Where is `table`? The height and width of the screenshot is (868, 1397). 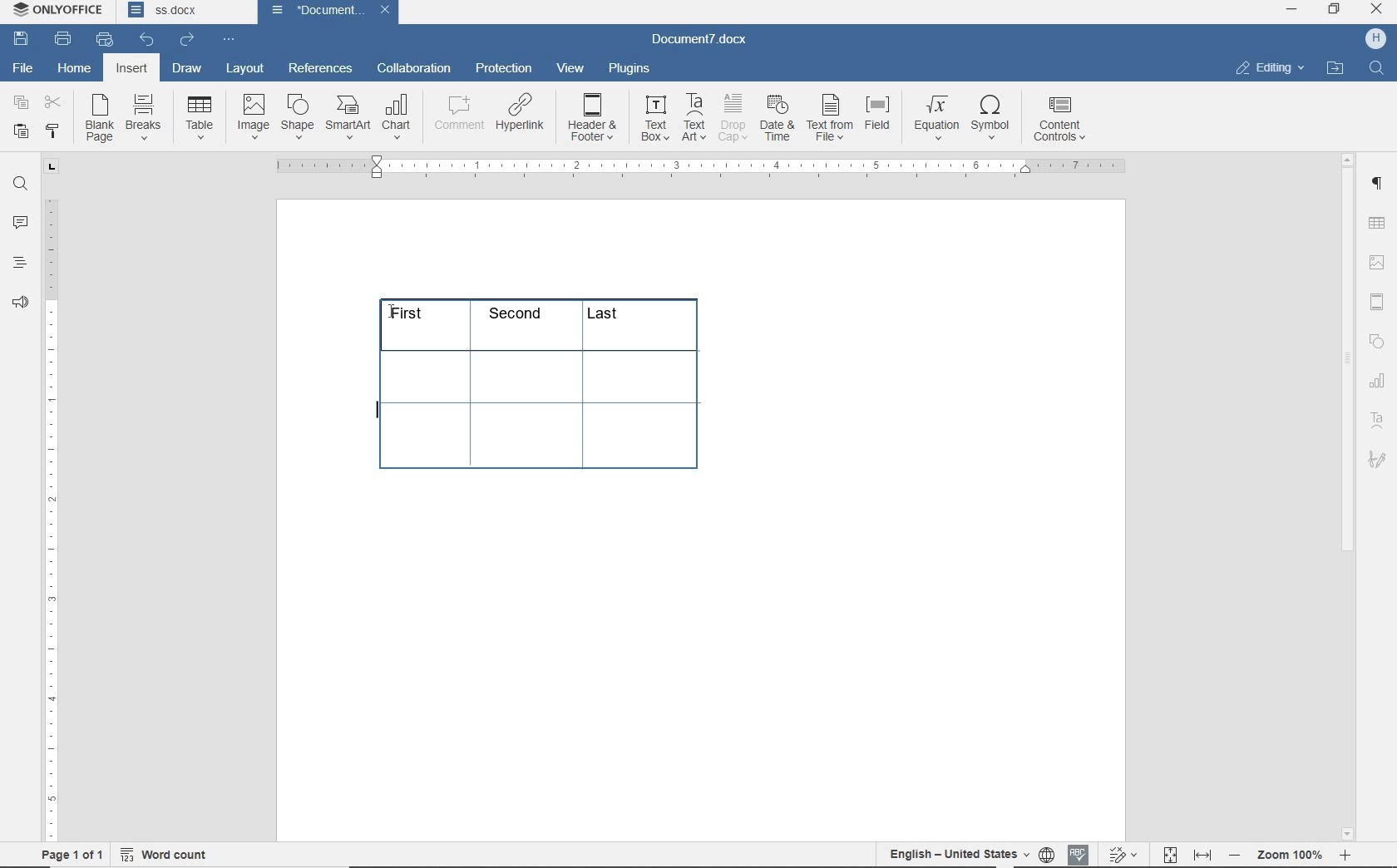 table is located at coordinates (555, 392).